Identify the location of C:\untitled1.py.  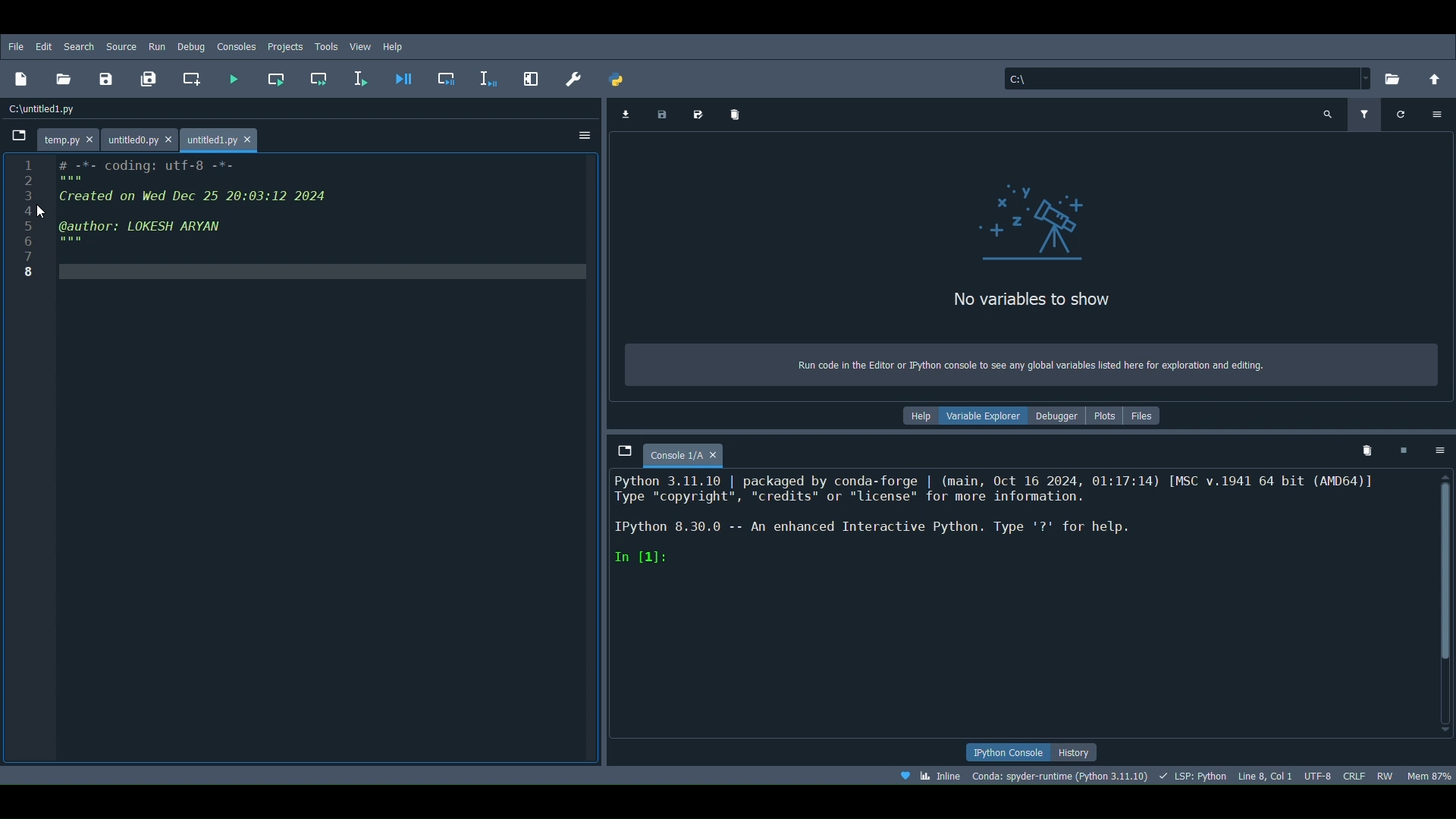
(45, 108).